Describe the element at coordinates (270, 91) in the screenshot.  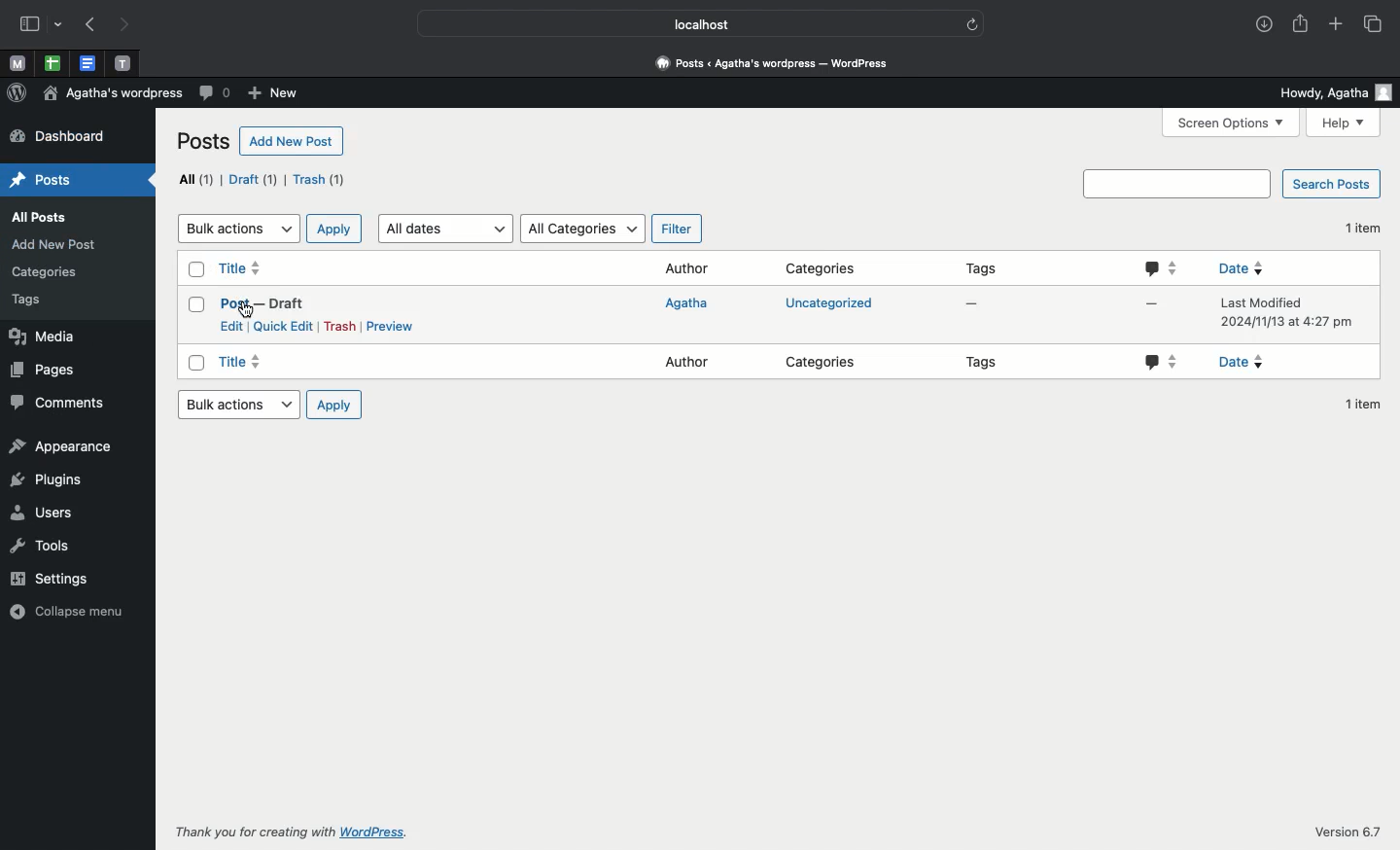
I see `New` at that location.